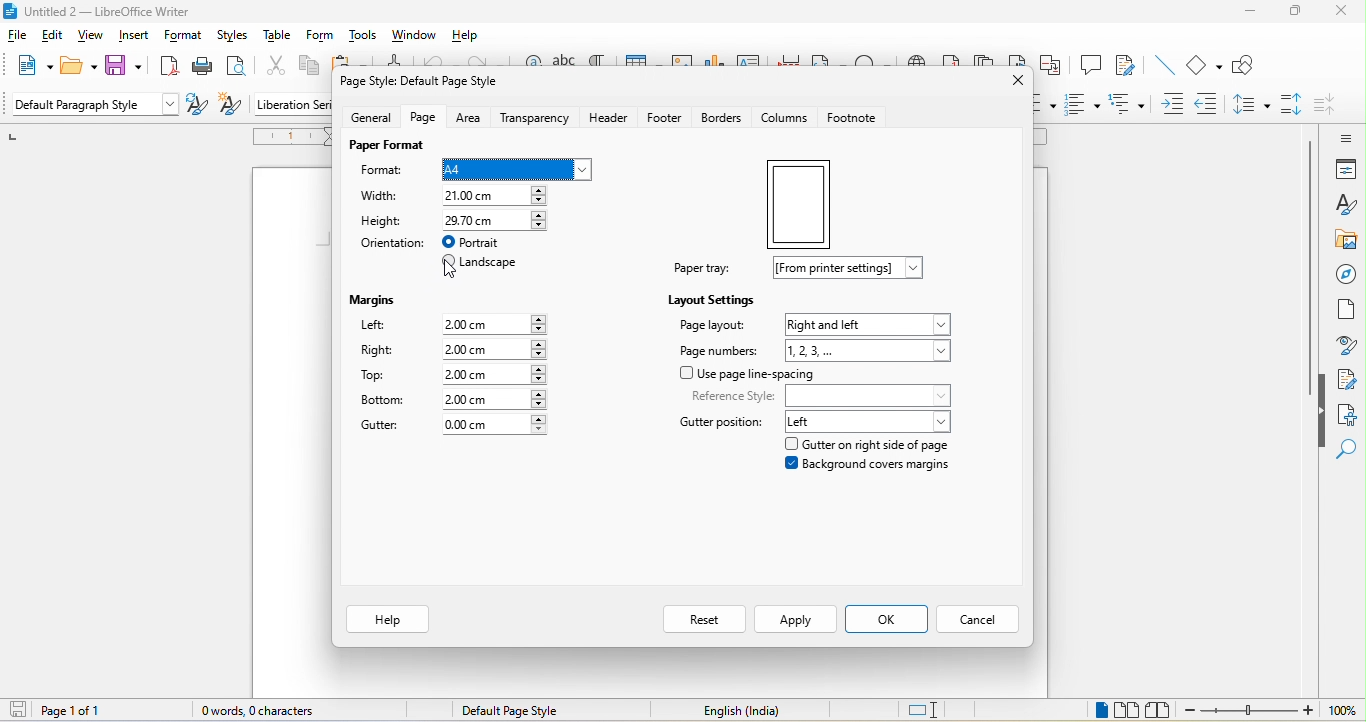 The height and width of the screenshot is (722, 1366). Describe the element at coordinates (1250, 67) in the screenshot. I see `show draw function` at that location.